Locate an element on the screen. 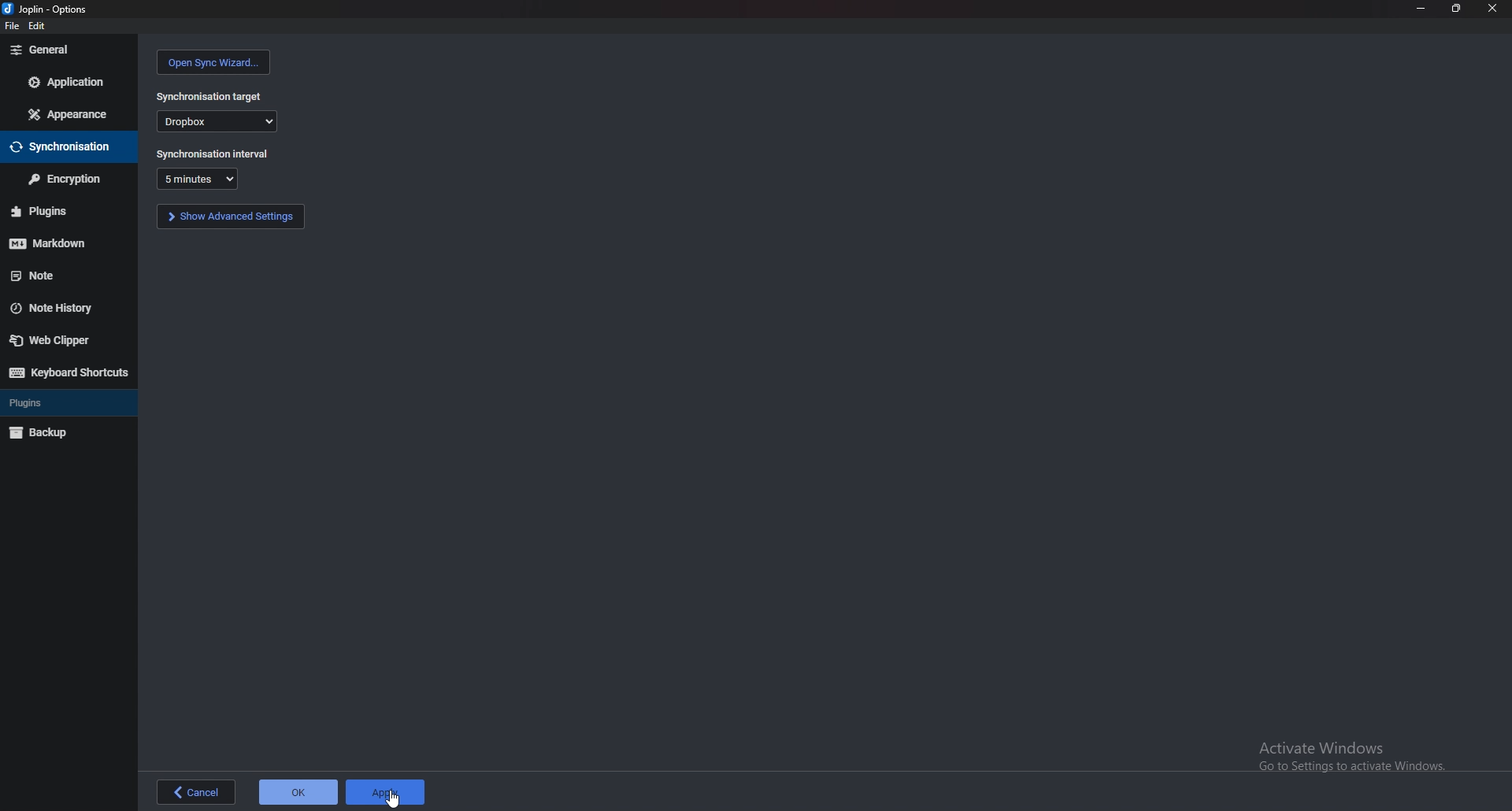 This screenshot has width=1512, height=811. keyboard shortcuts is located at coordinates (69, 372).